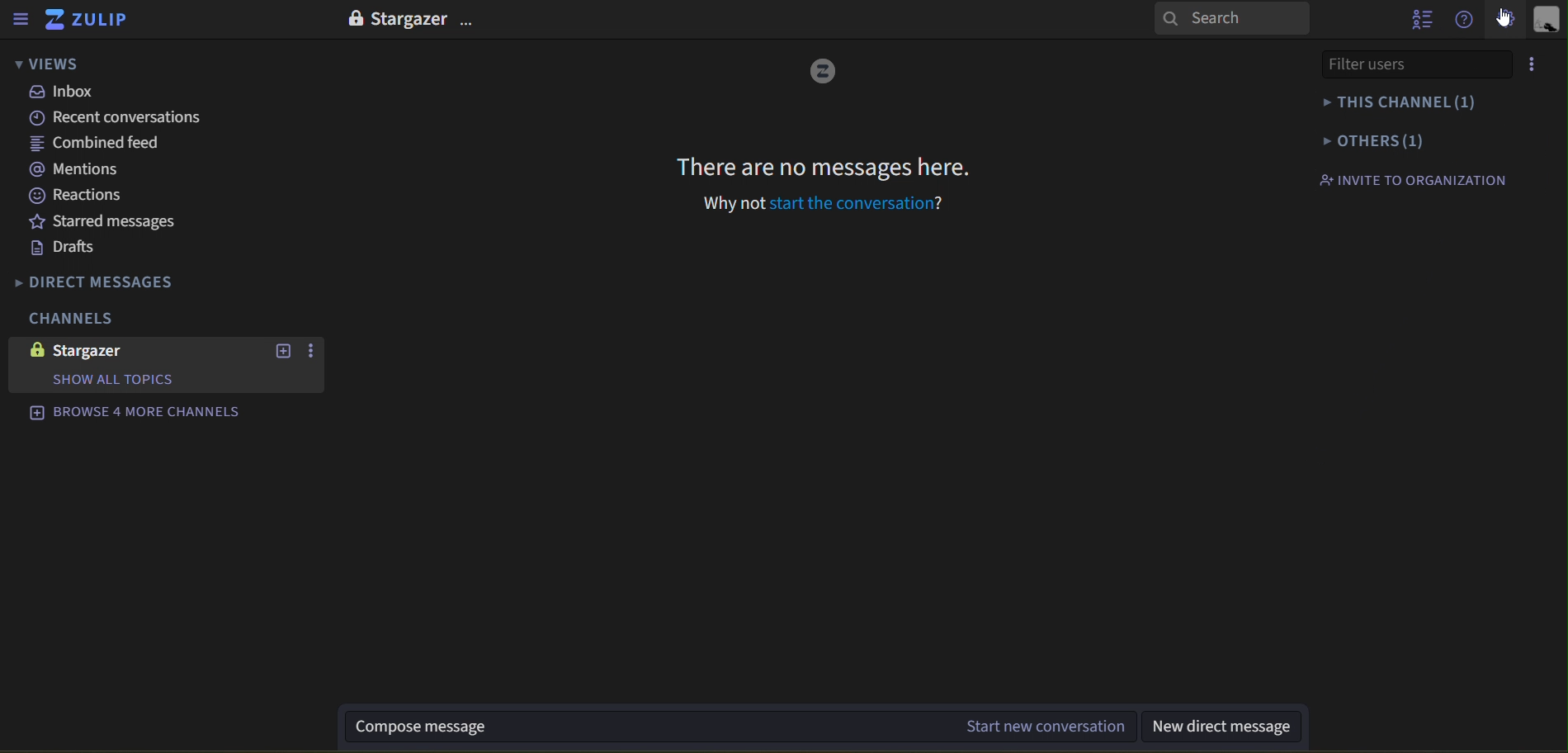 The image size is (1568, 753). I want to click on drafts, so click(67, 250).